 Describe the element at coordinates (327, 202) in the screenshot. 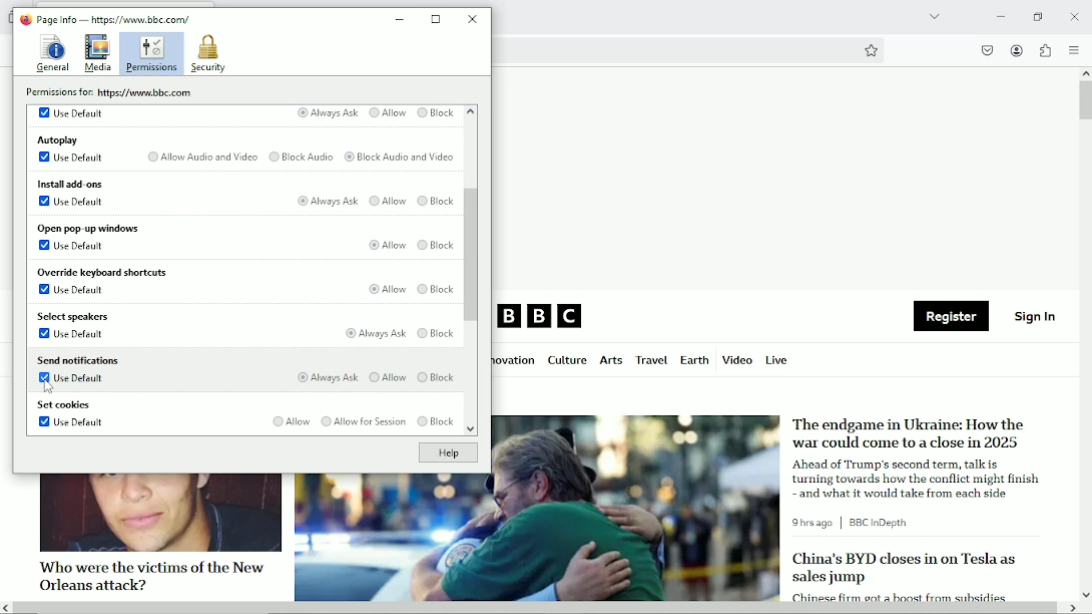

I see `Always ask` at that location.